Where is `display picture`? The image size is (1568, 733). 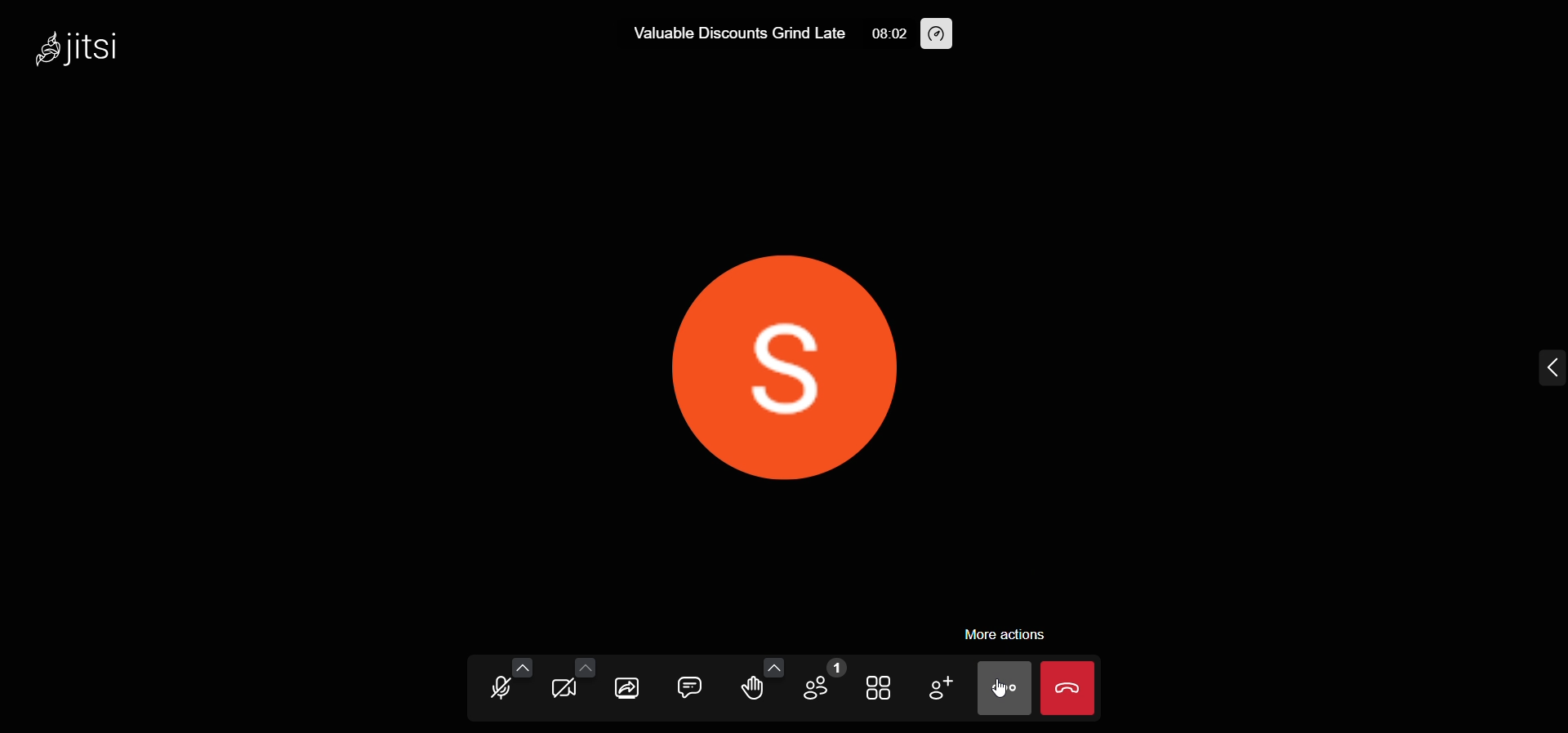 display picture is located at coordinates (787, 357).